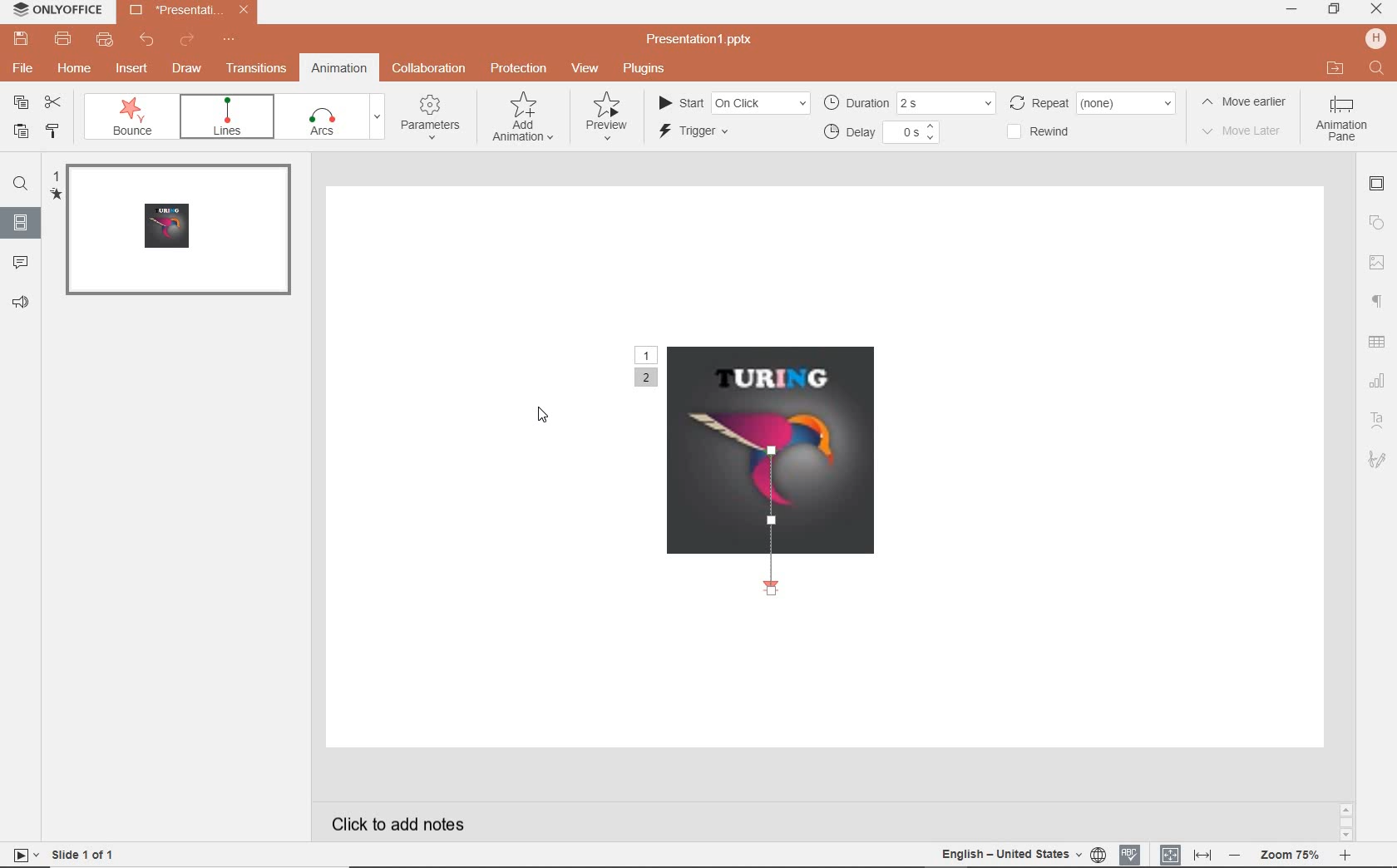 The height and width of the screenshot is (868, 1397). I want to click on collaboration, so click(430, 70).